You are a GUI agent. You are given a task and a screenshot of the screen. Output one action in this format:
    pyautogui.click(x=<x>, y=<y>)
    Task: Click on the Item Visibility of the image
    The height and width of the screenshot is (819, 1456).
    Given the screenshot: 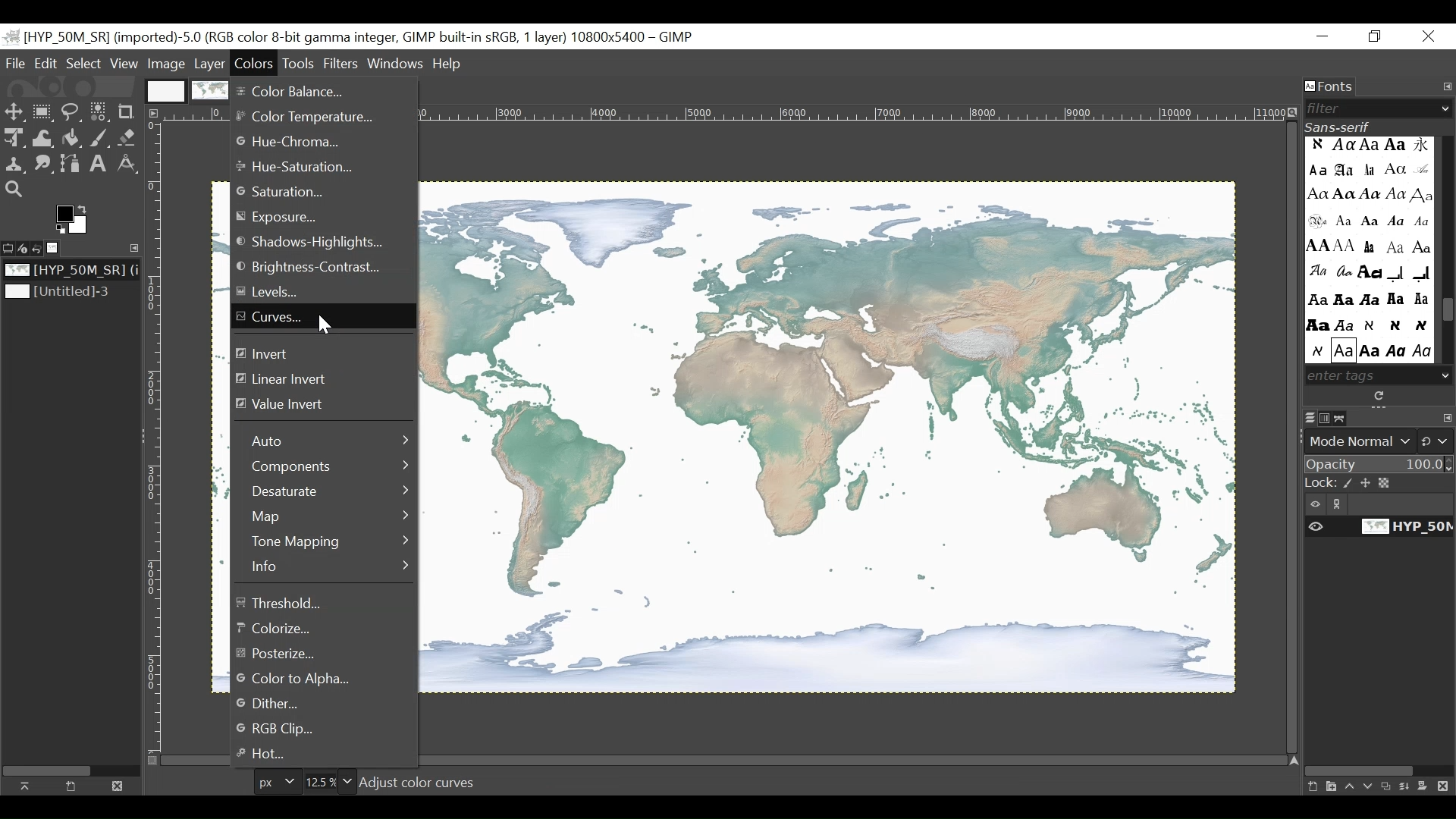 What is the action you would take?
    pyautogui.click(x=1376, y=527)
    